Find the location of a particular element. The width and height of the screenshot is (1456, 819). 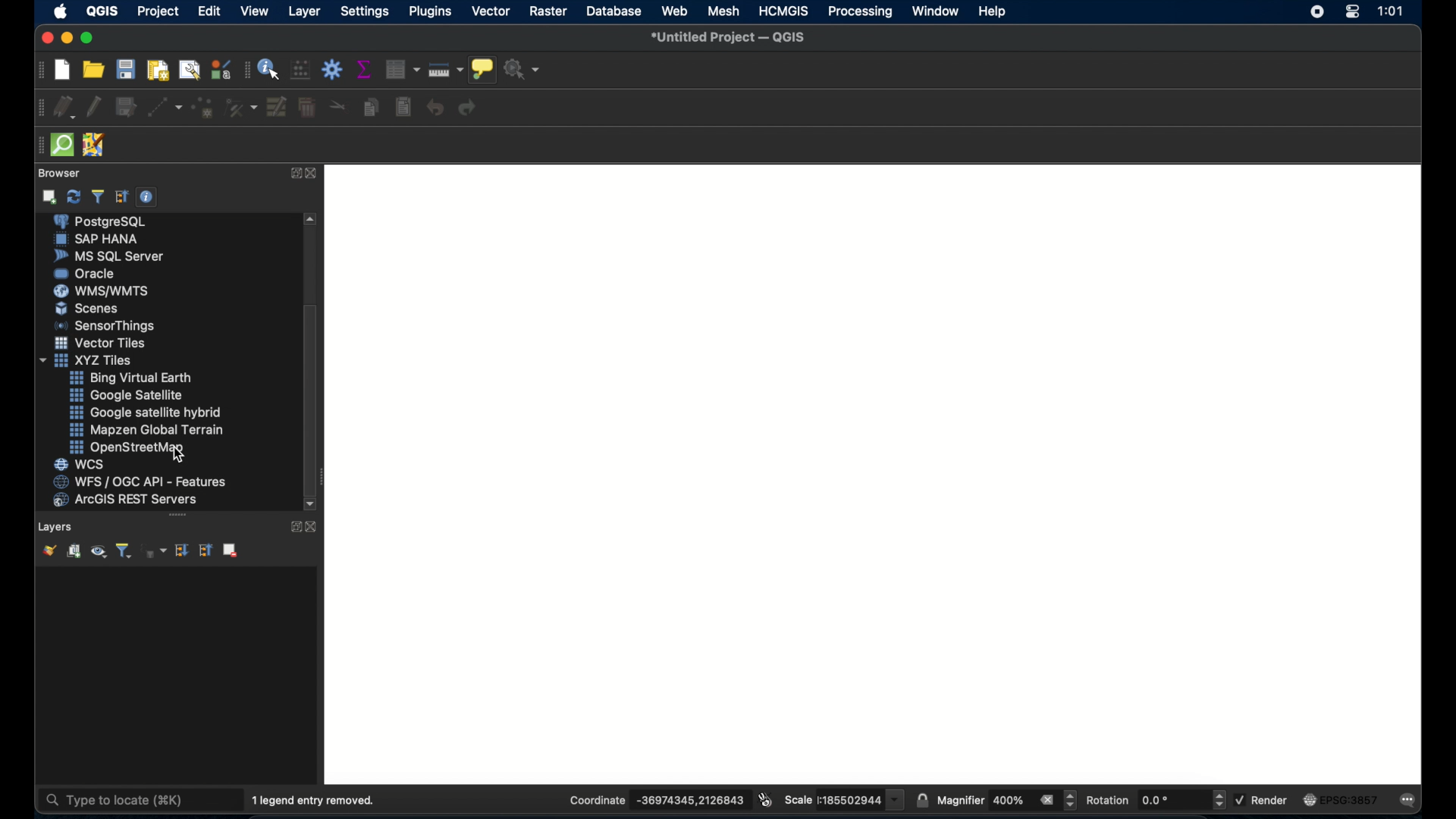

quick osm is located at coordinates (61, 145).